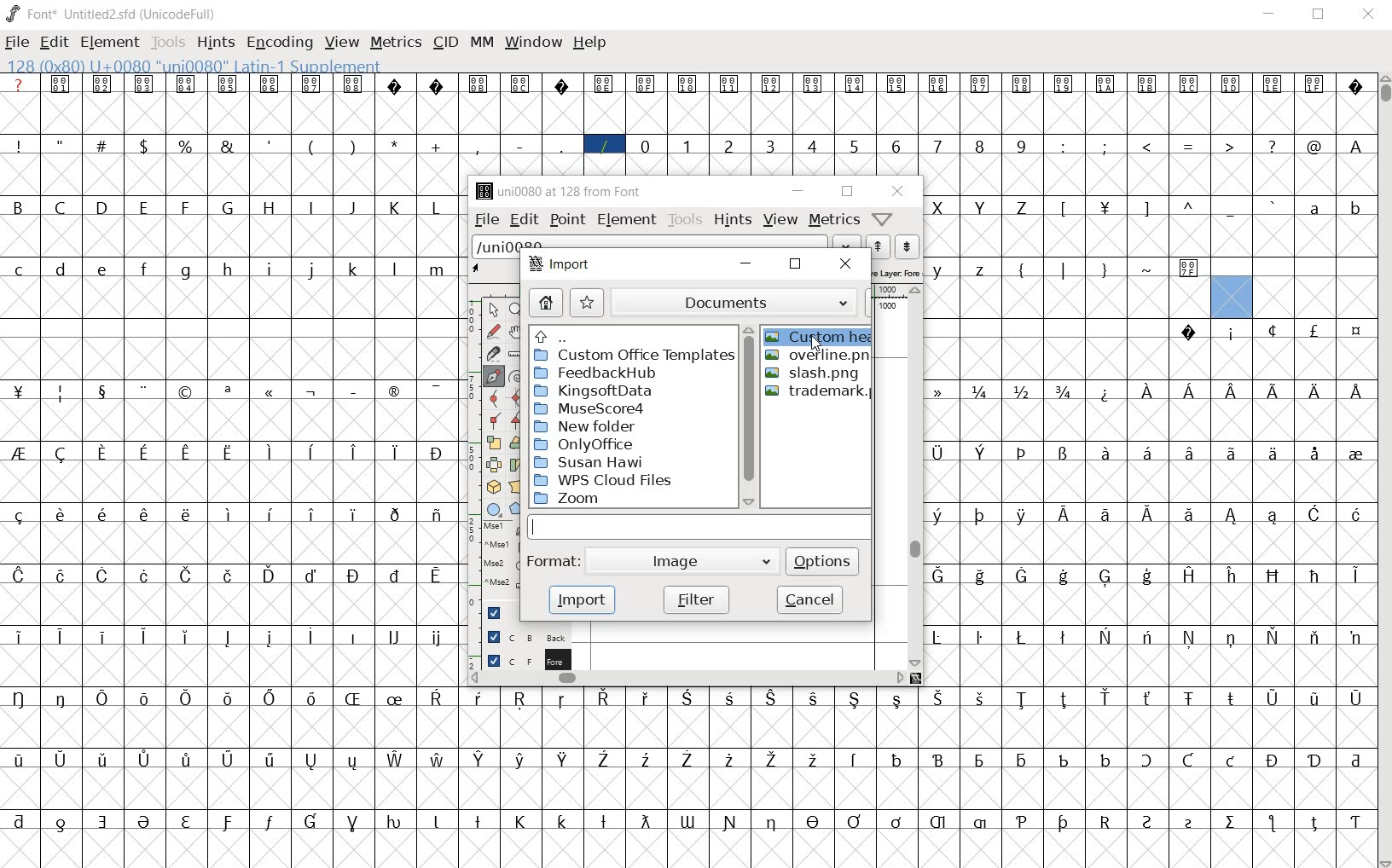 The width and height of the screenshot is (1392, 868). Describe the element at coordinates (309, 636) in the screenshot. I see `glyph` at that location.